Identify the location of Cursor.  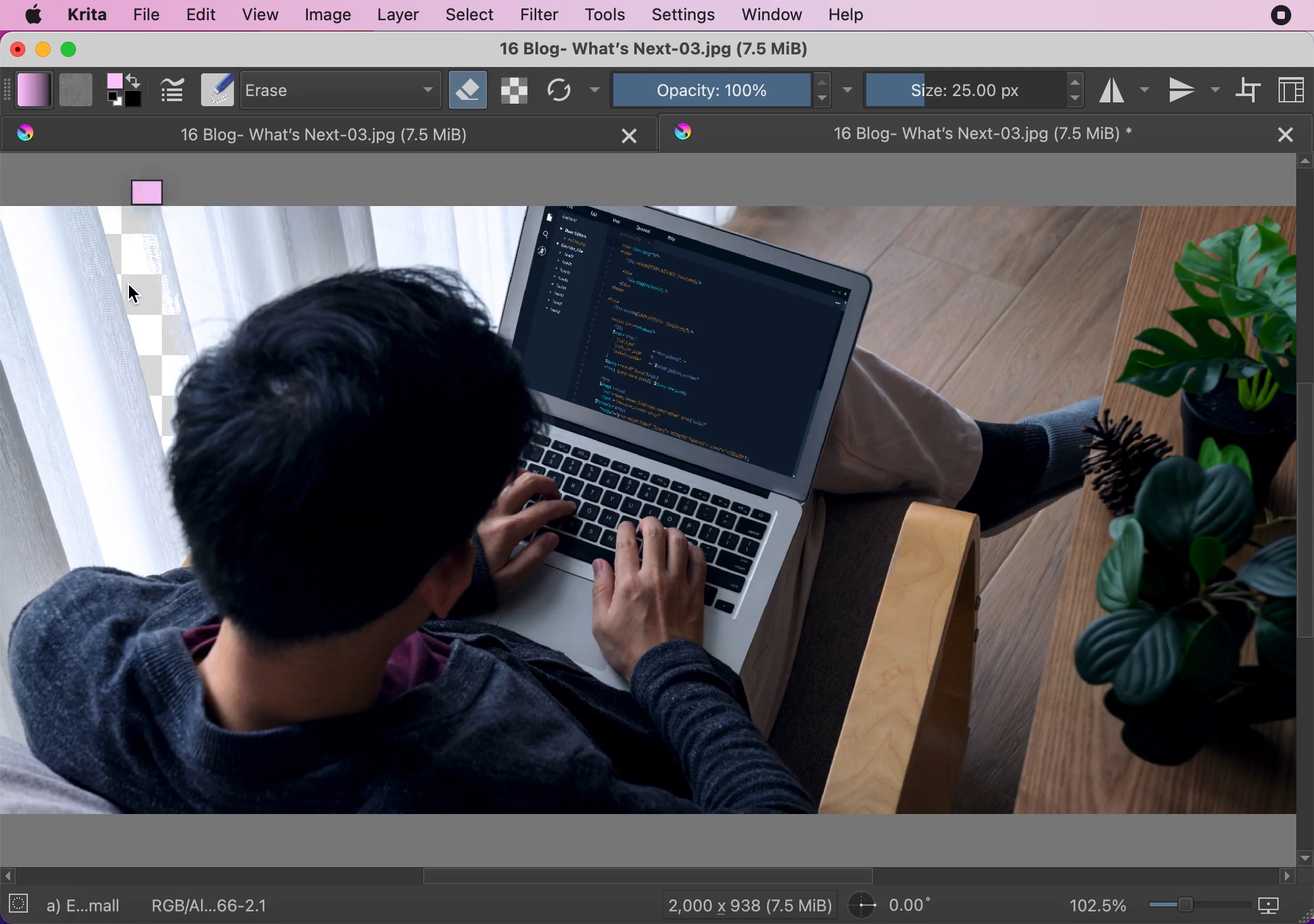
(137, 296).